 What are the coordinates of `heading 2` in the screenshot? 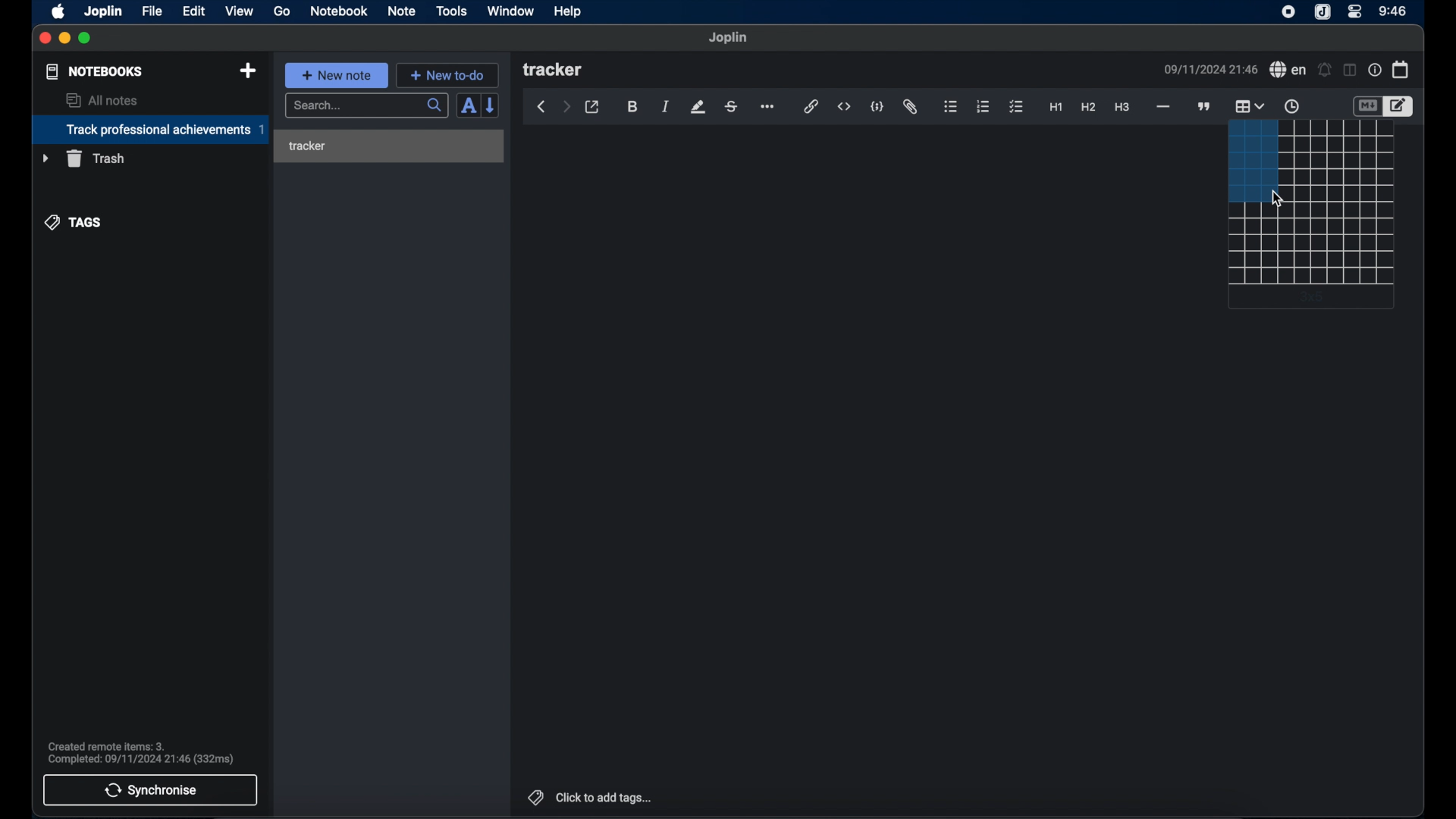 It's located at (1088, 108).